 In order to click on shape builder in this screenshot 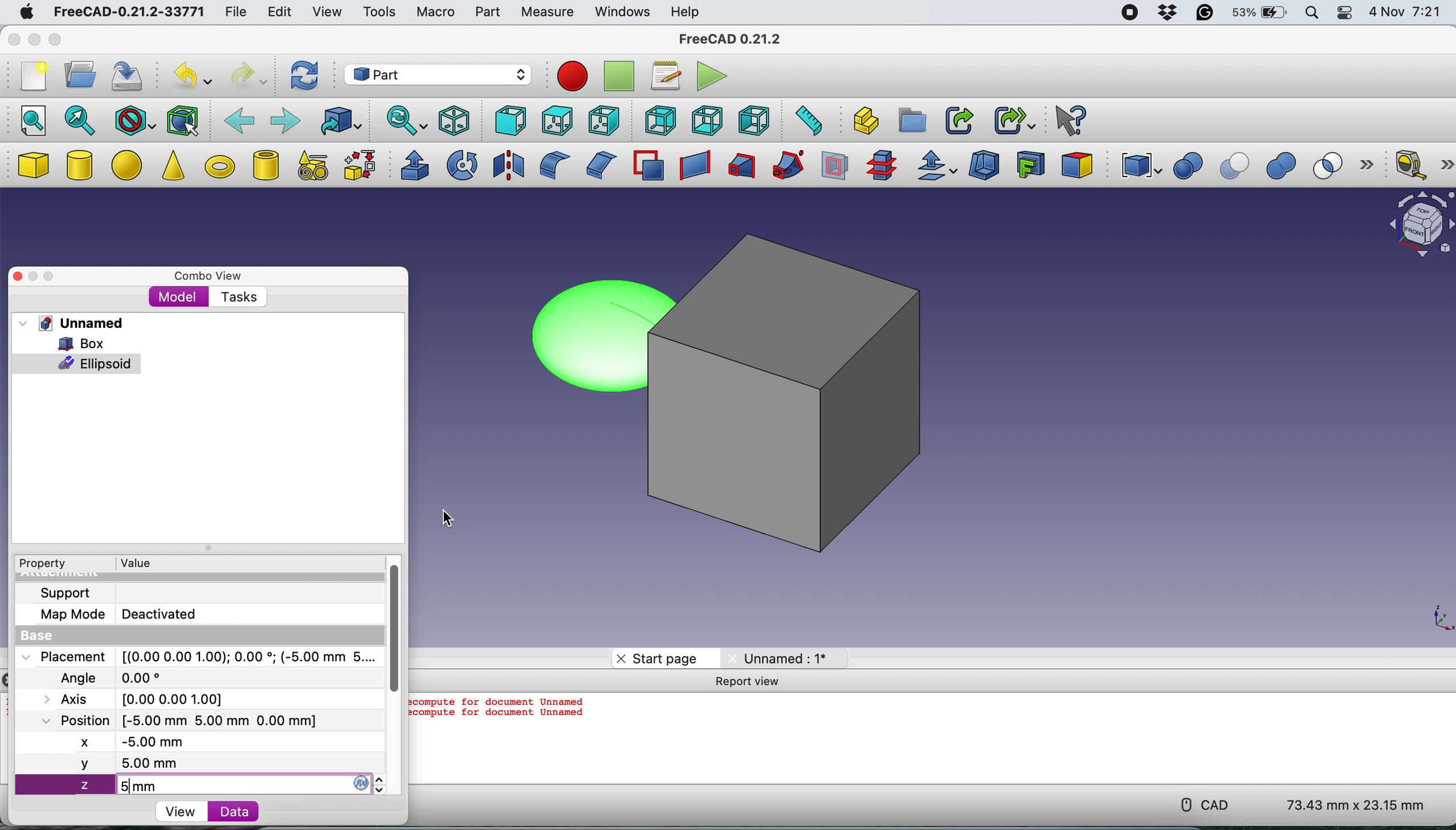, I will do `click(360, 165)`.